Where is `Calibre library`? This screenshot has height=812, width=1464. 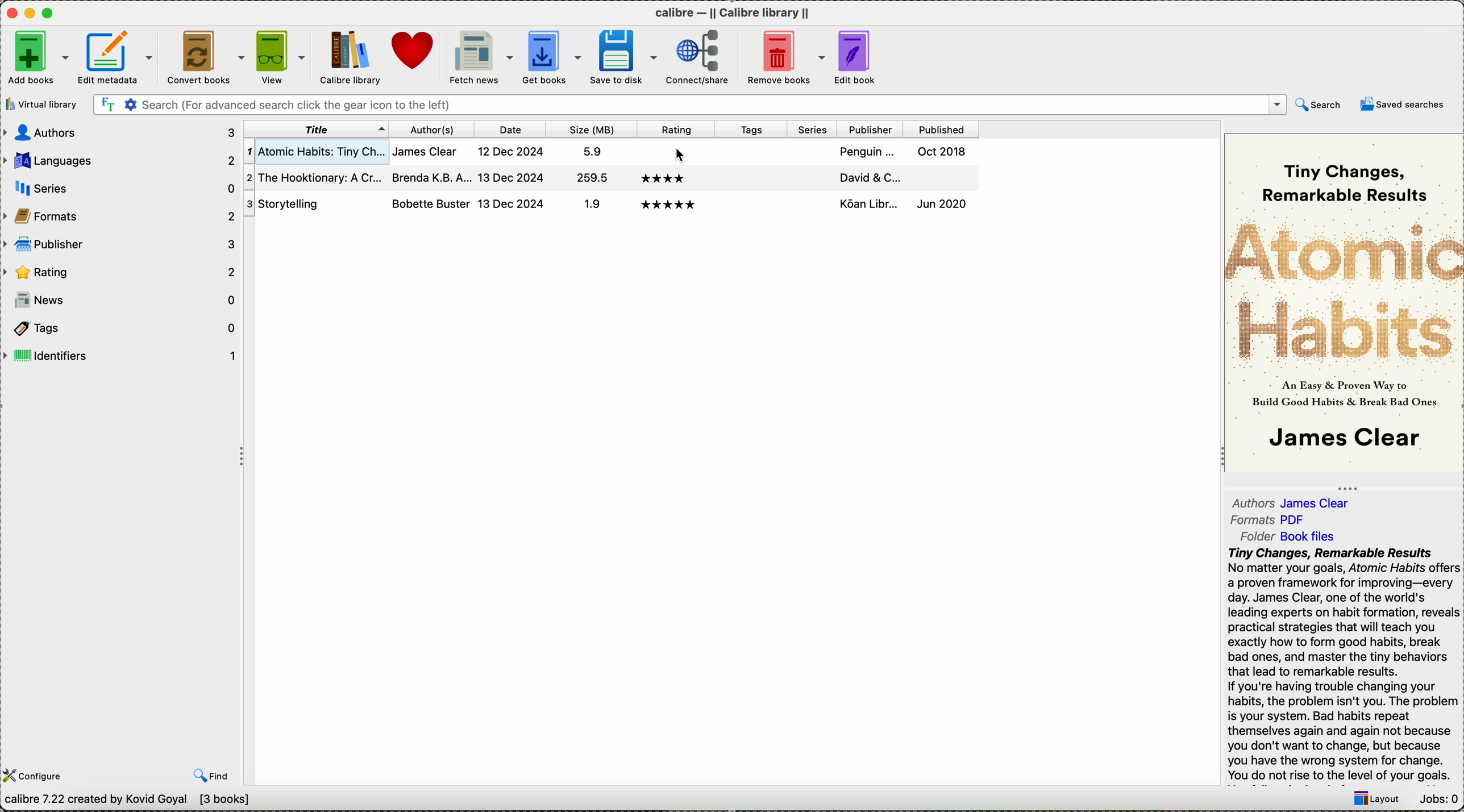
Calibre library is located at coordinates (350, 58).